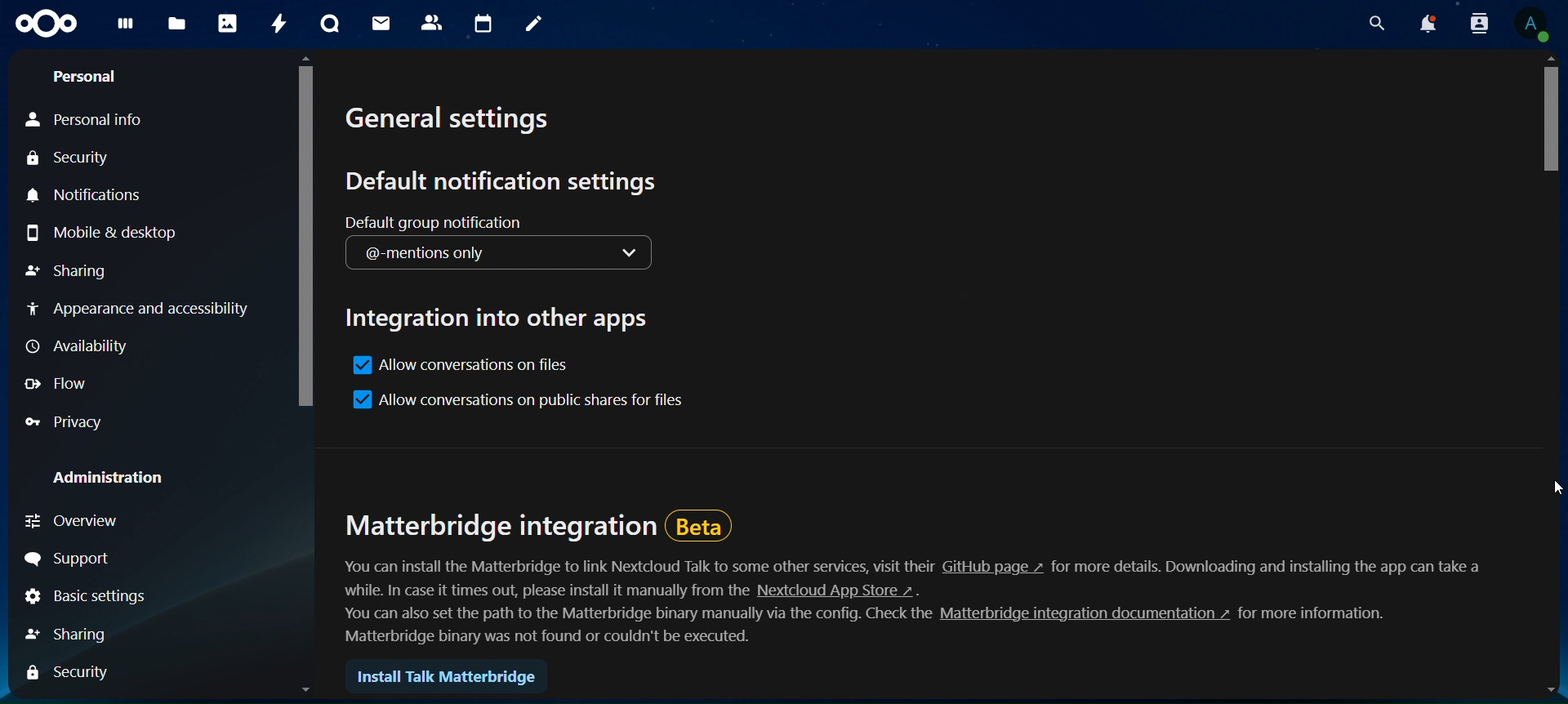  Describe the element at coordinates (1373, 25) in the screenshot. I see `search` at that location.